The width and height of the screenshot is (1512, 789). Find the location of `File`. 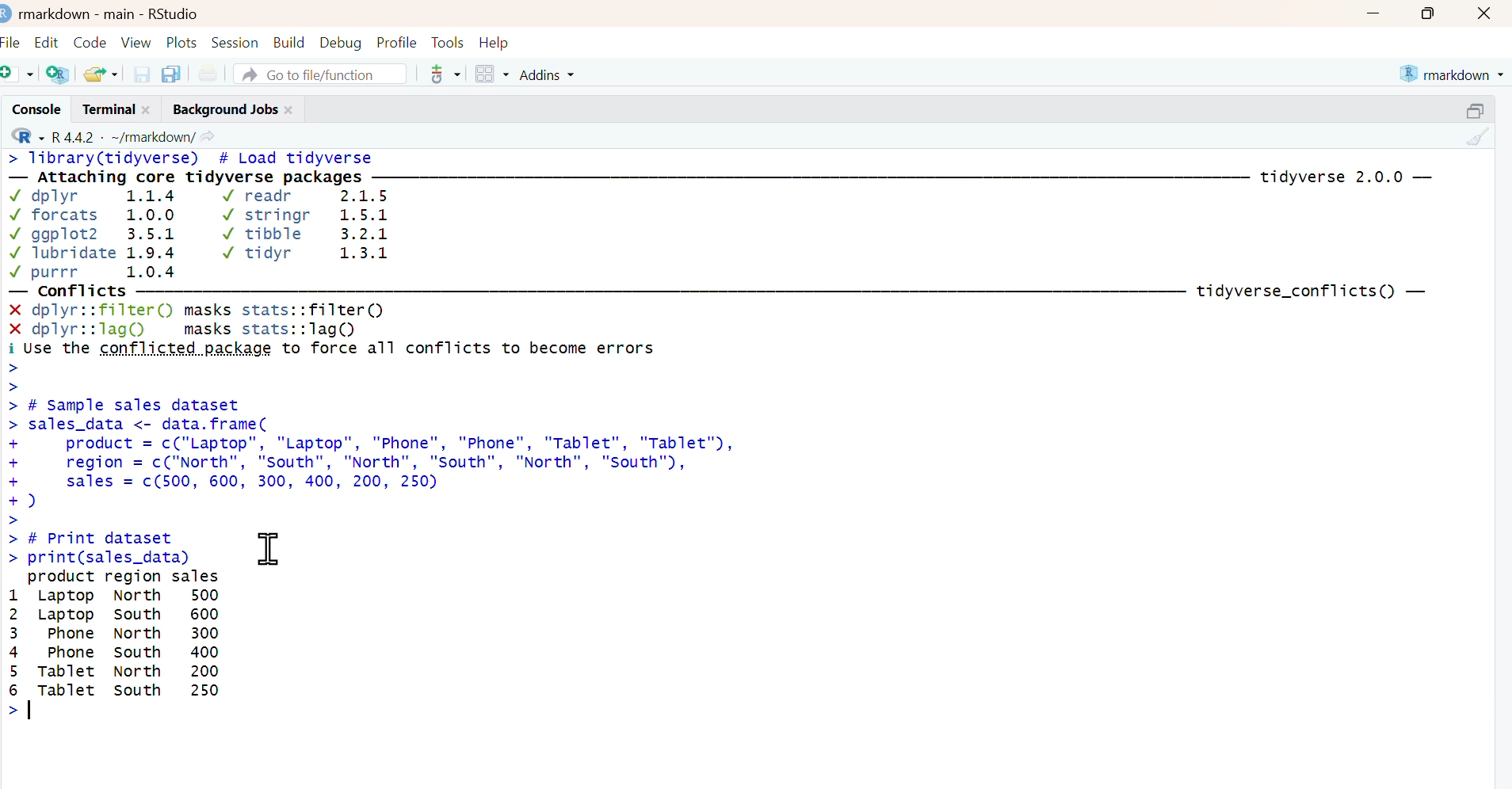

File is located at coordinates (13, 40).